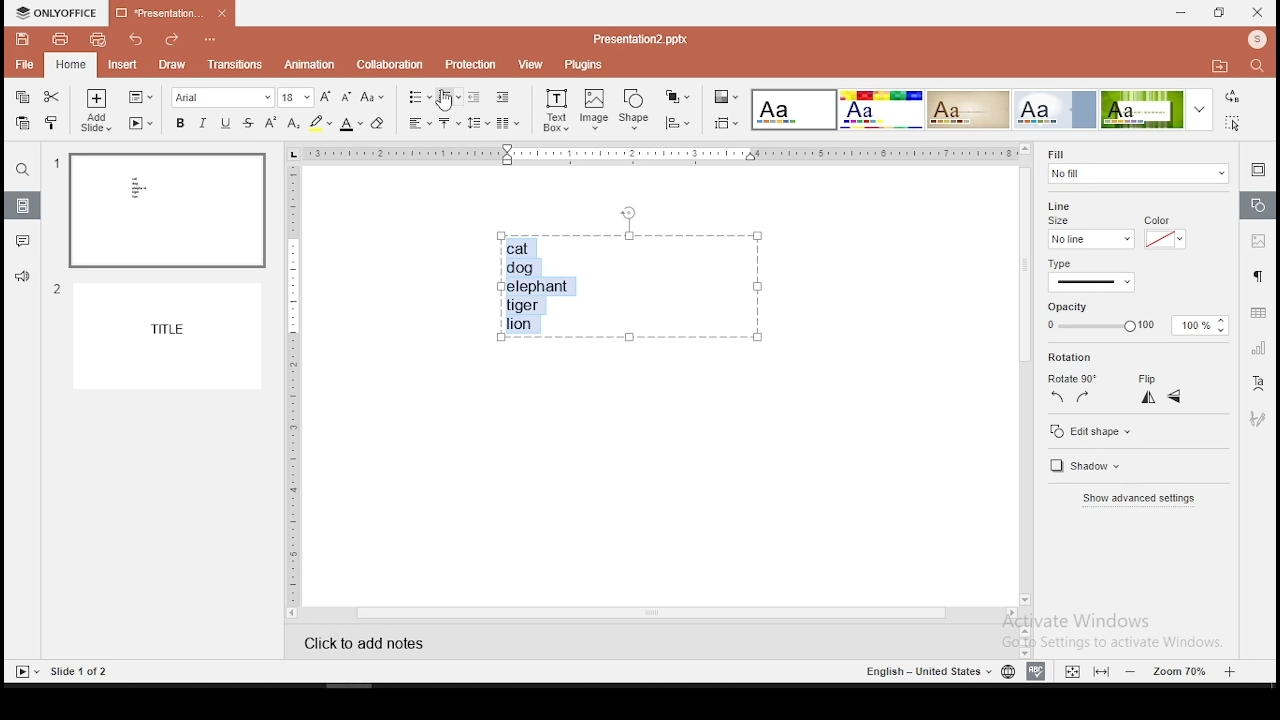 Image resolution: width=1280 pixels, height=720 pixels. Describe the element at coordinates (24, 172) in the screenshot. I see `find` at that location.